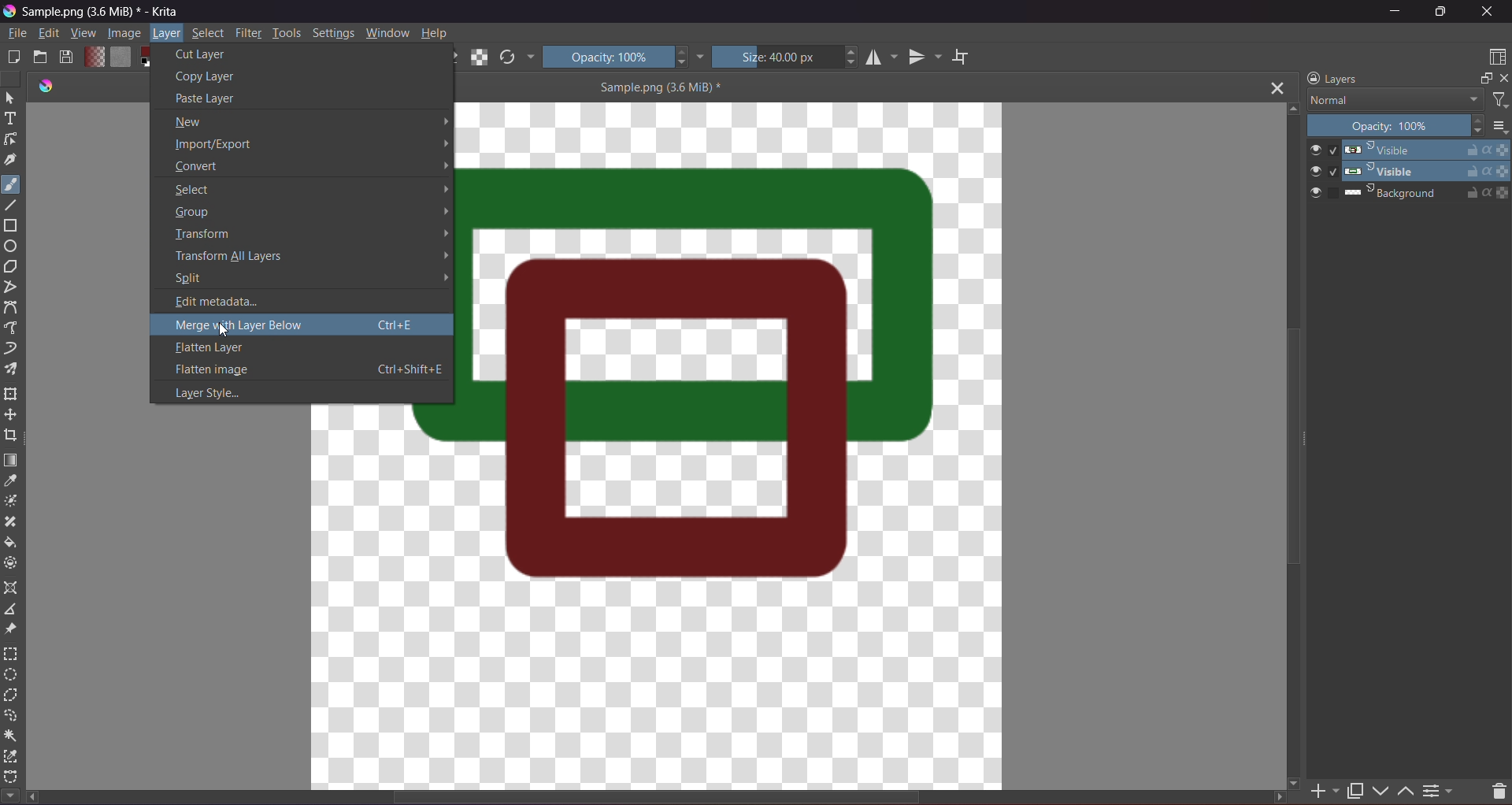 The image size is (1512, 805). What do you see at coordinates (1277, 88) in the screenshot?
I see `Close Canvas` at bounding box center [1277, 88].